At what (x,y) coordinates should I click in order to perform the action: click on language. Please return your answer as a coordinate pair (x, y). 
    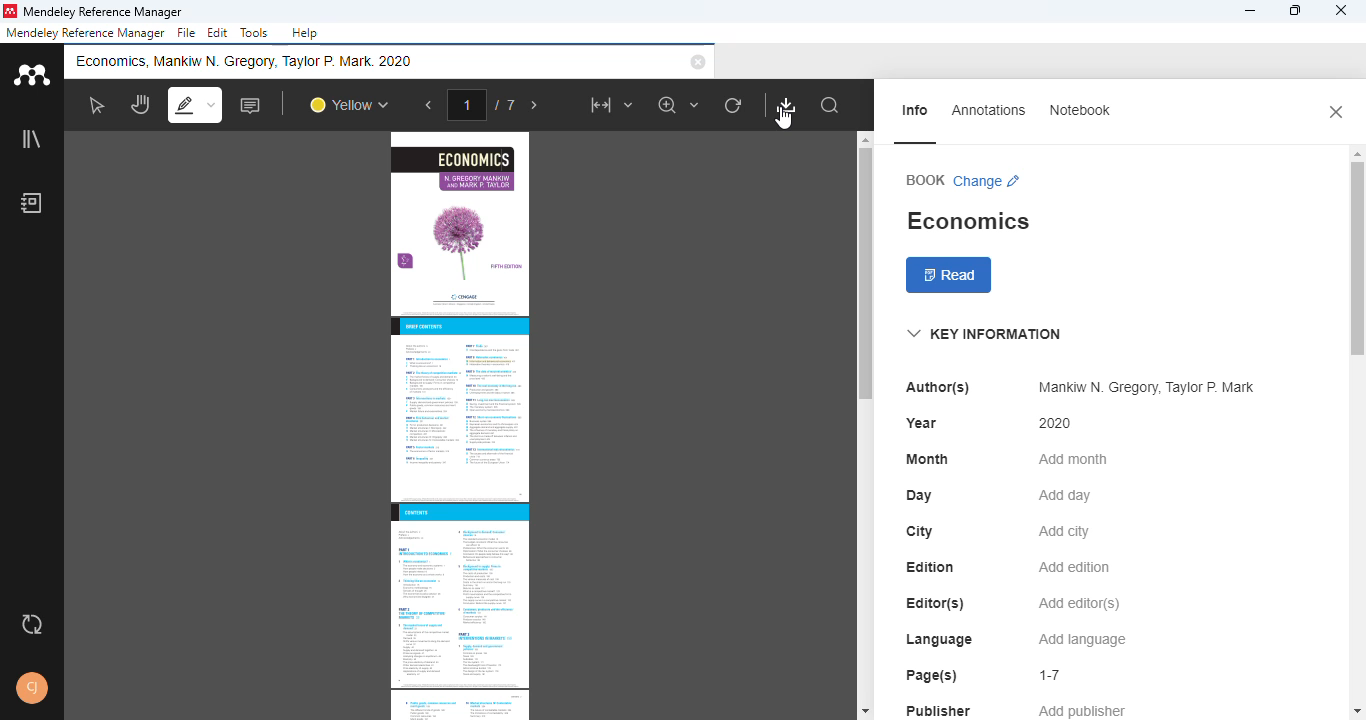
    Looking at the image, I should click on (938, 640).